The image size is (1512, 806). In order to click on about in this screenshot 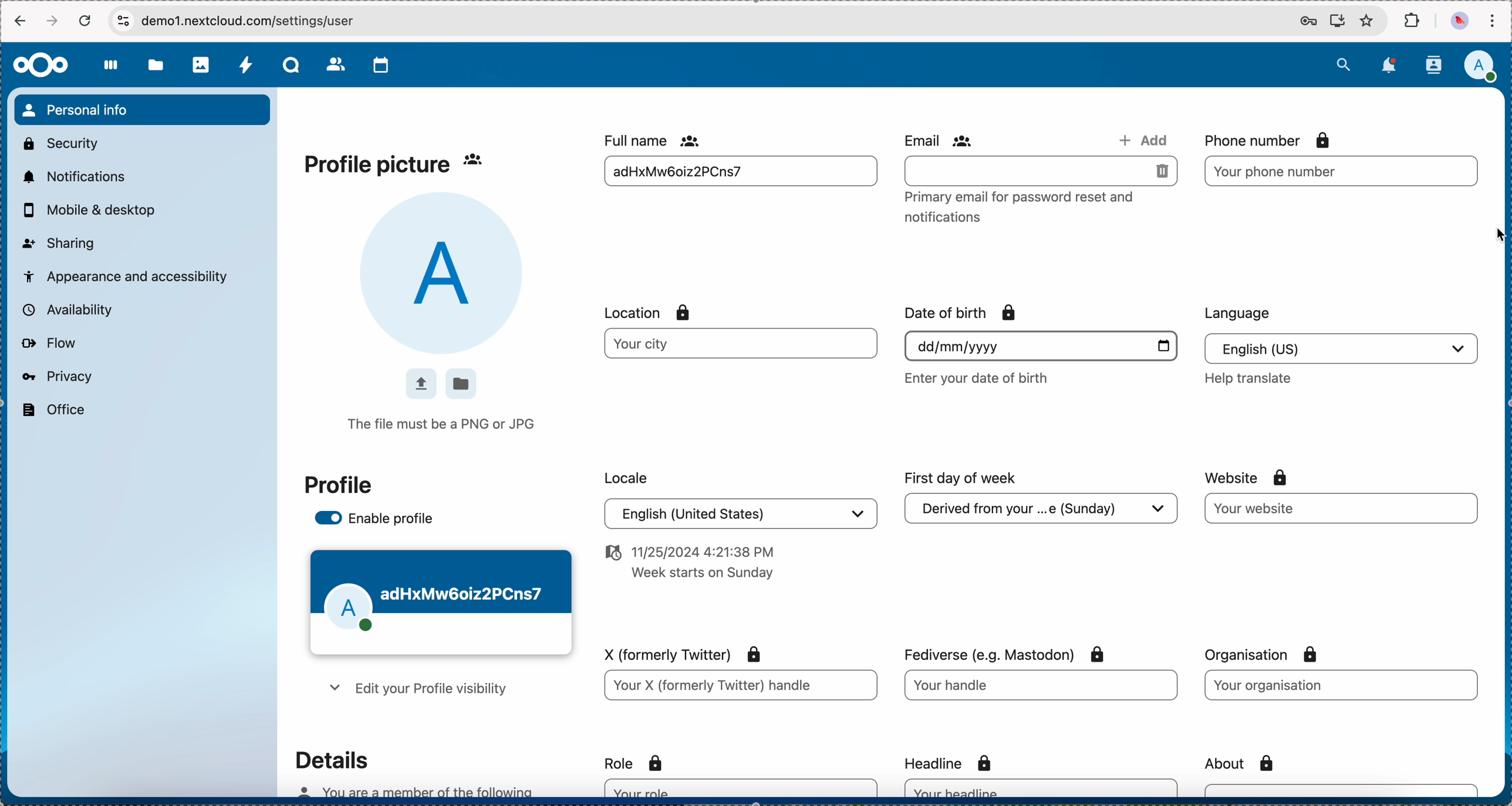, I will do `click(1244, 763)`.